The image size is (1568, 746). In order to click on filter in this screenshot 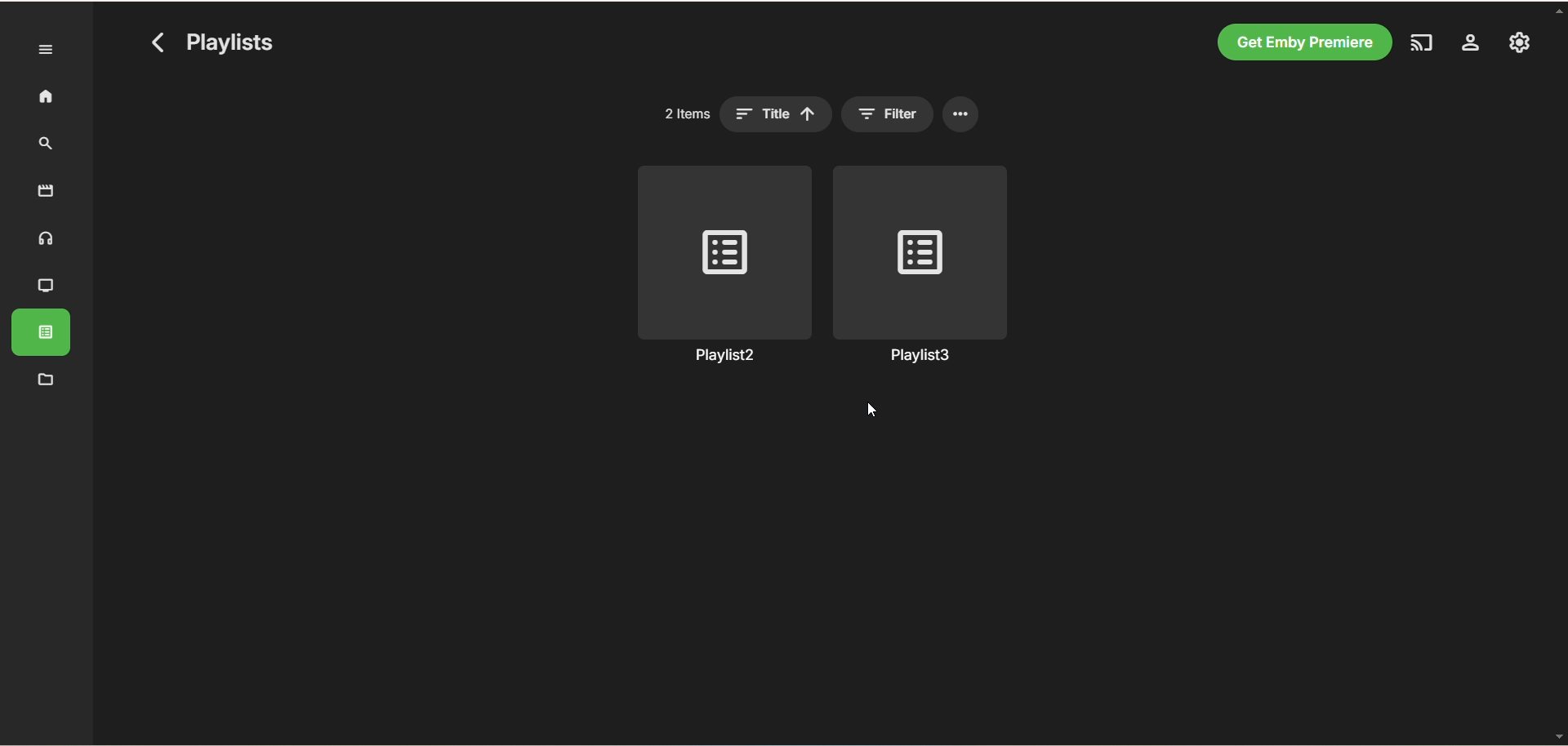, I will do `click(886, 114)`.